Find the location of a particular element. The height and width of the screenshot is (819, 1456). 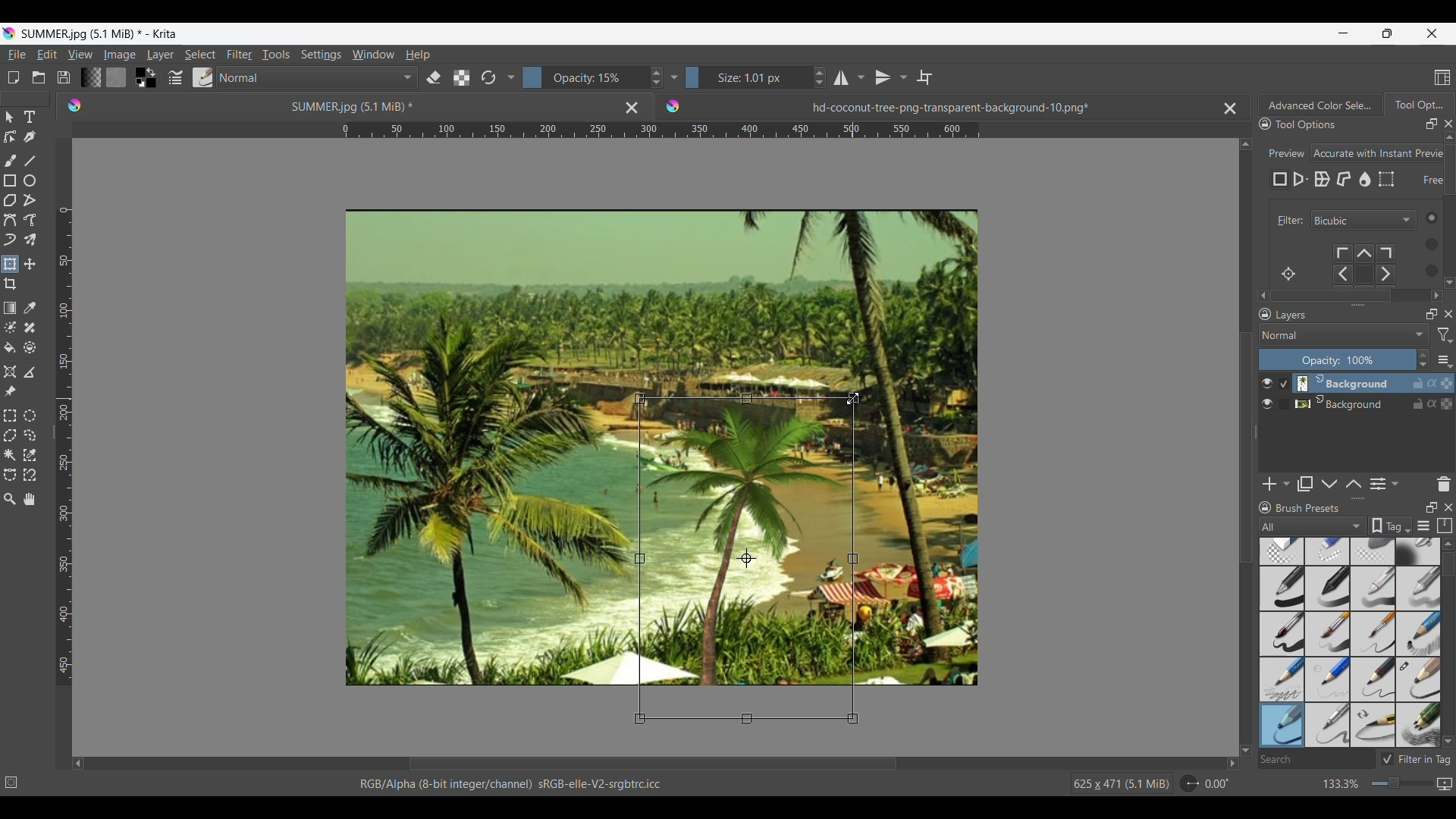

File is located at coordinates (16, 55).